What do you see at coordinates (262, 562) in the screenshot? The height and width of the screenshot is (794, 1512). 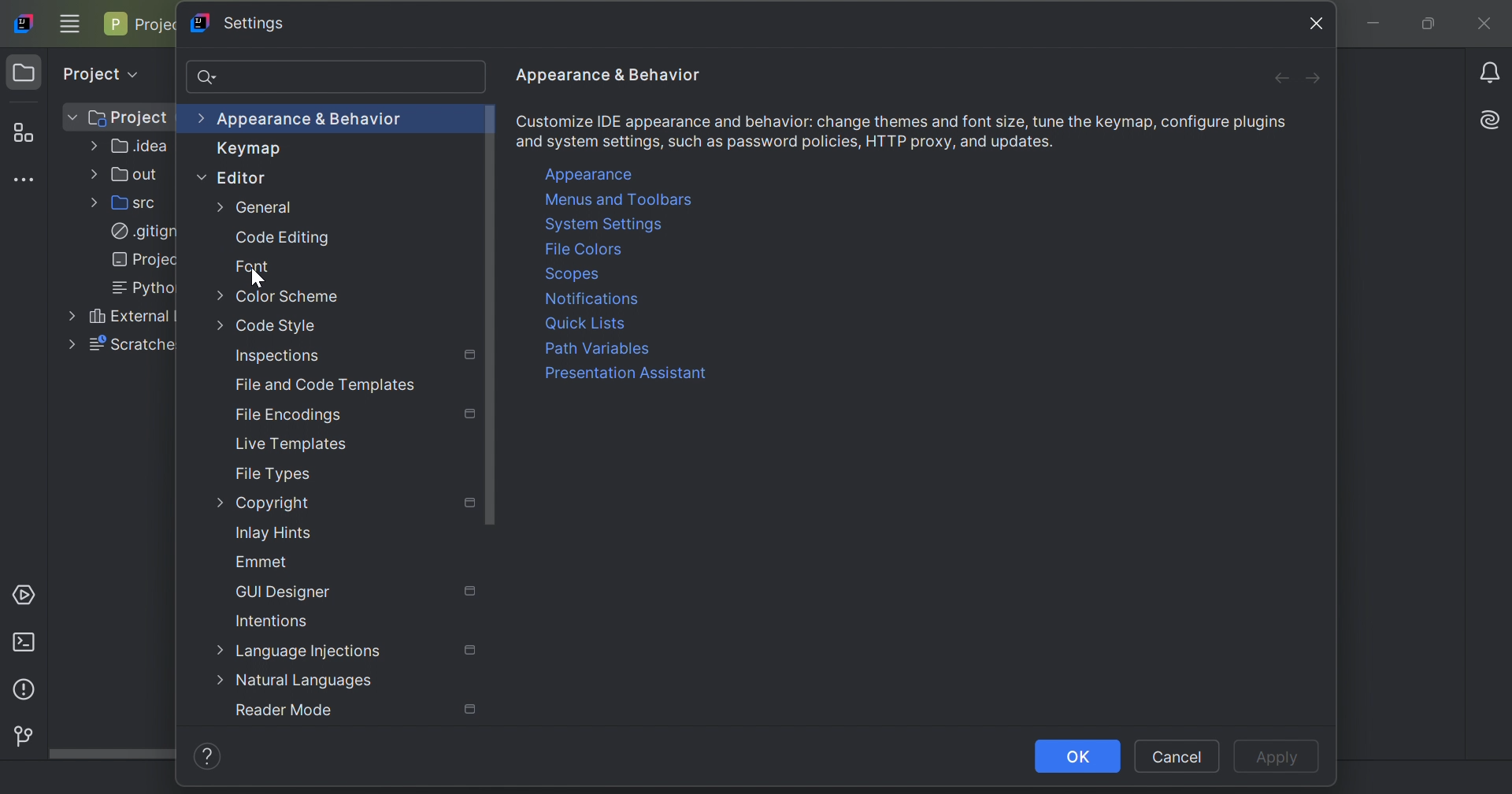 I see `Emmet` at bounding box center [262, 562].